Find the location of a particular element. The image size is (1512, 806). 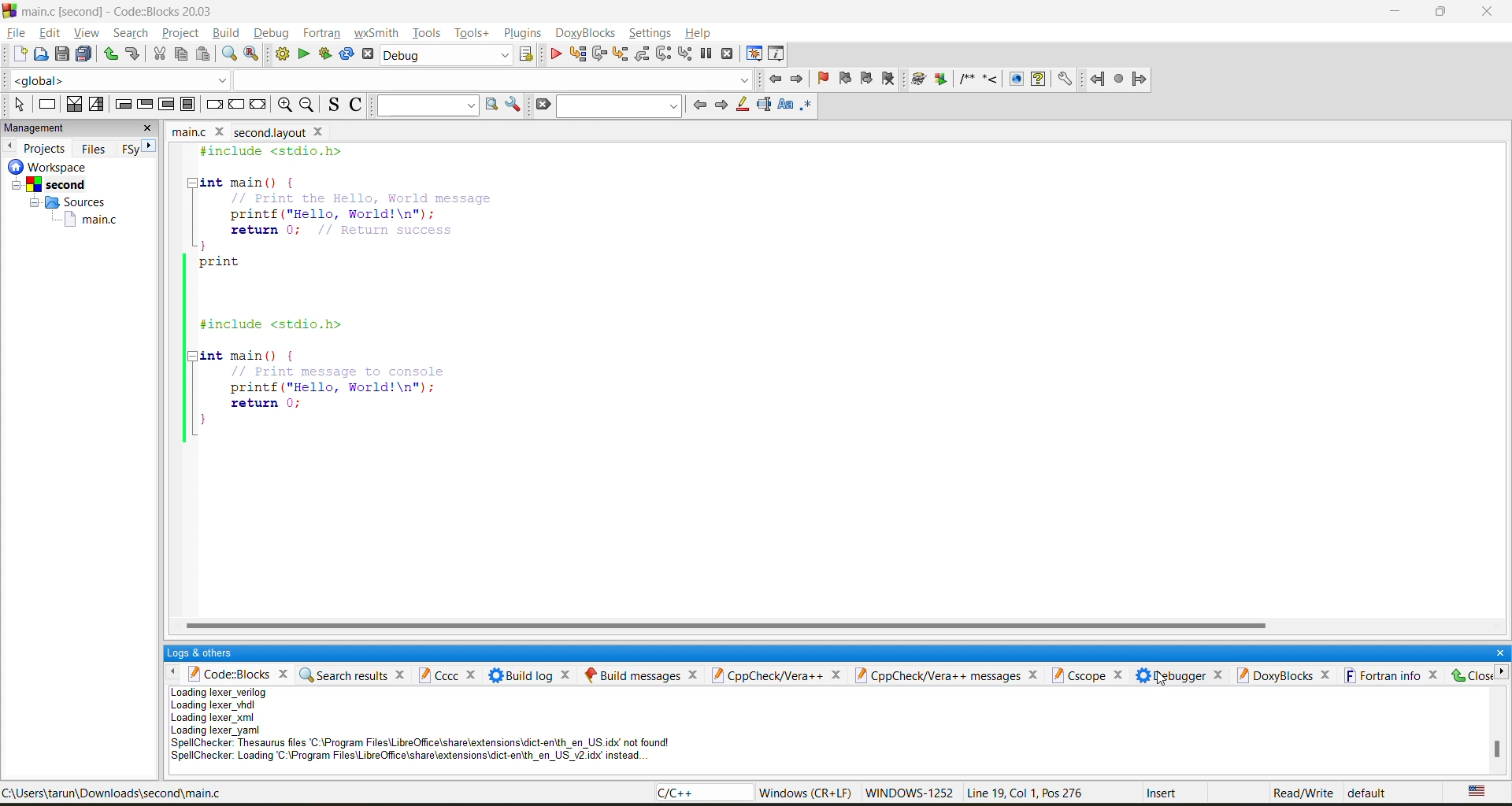

wxsmith is located at coordinates (376, 31).